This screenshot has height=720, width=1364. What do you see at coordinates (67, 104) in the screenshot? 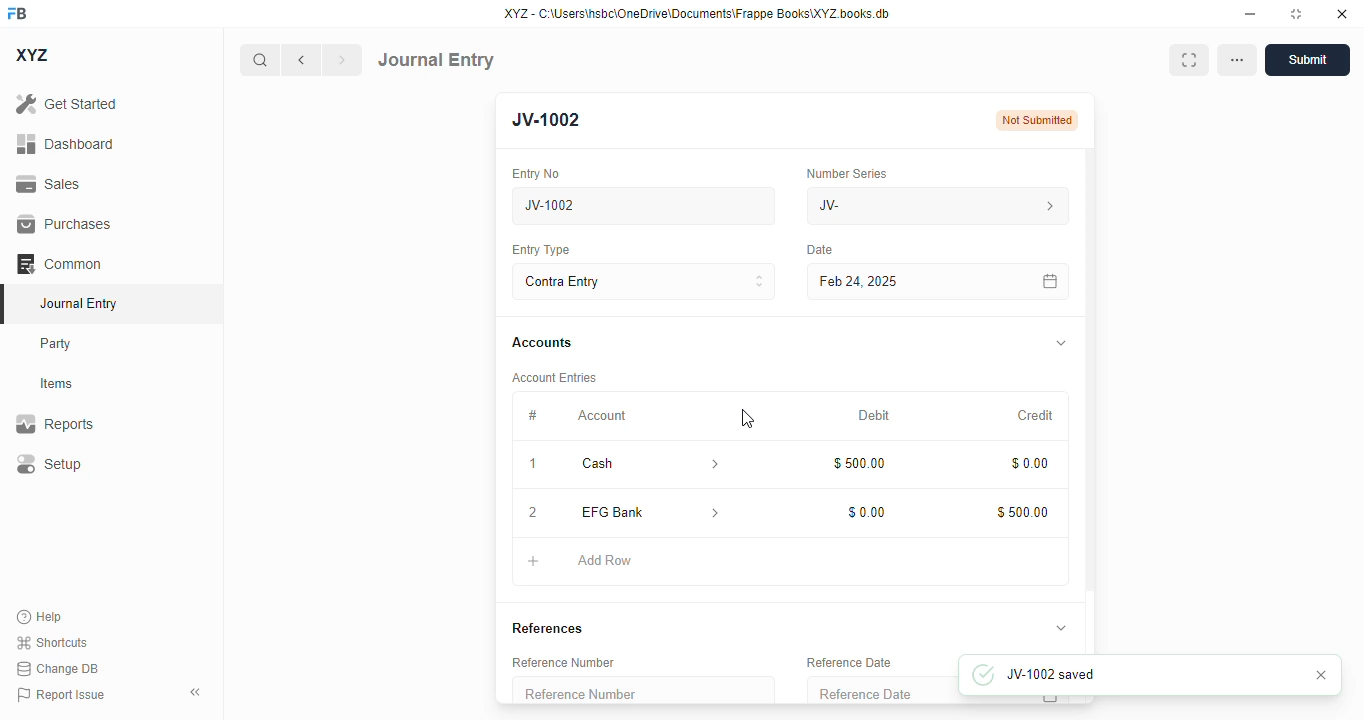
I see `get started` at bounding box center [67, 104].